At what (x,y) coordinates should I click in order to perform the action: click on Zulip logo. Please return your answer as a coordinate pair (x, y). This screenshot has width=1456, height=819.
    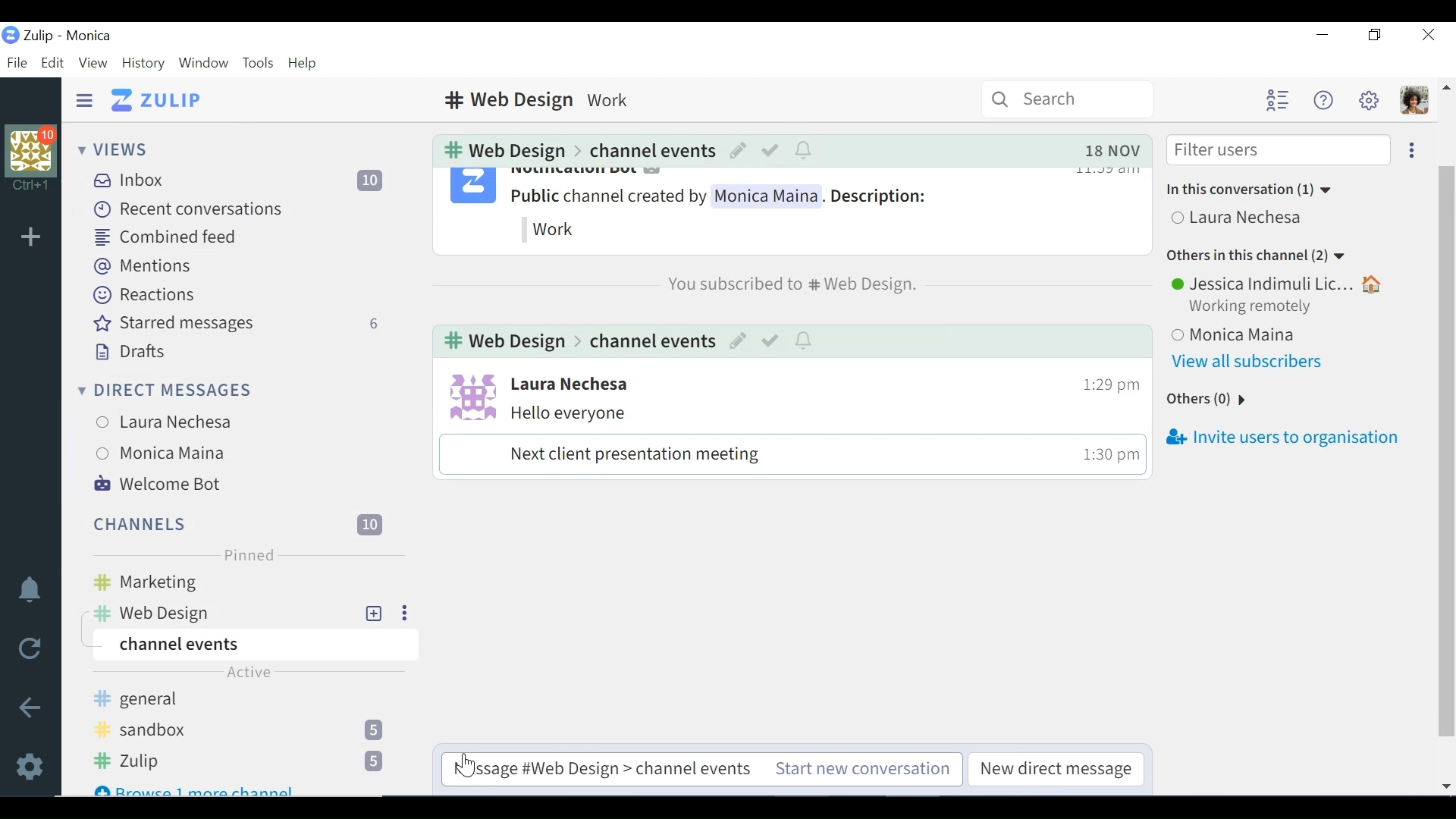
    Looking at the image, I should click on (10, 35).